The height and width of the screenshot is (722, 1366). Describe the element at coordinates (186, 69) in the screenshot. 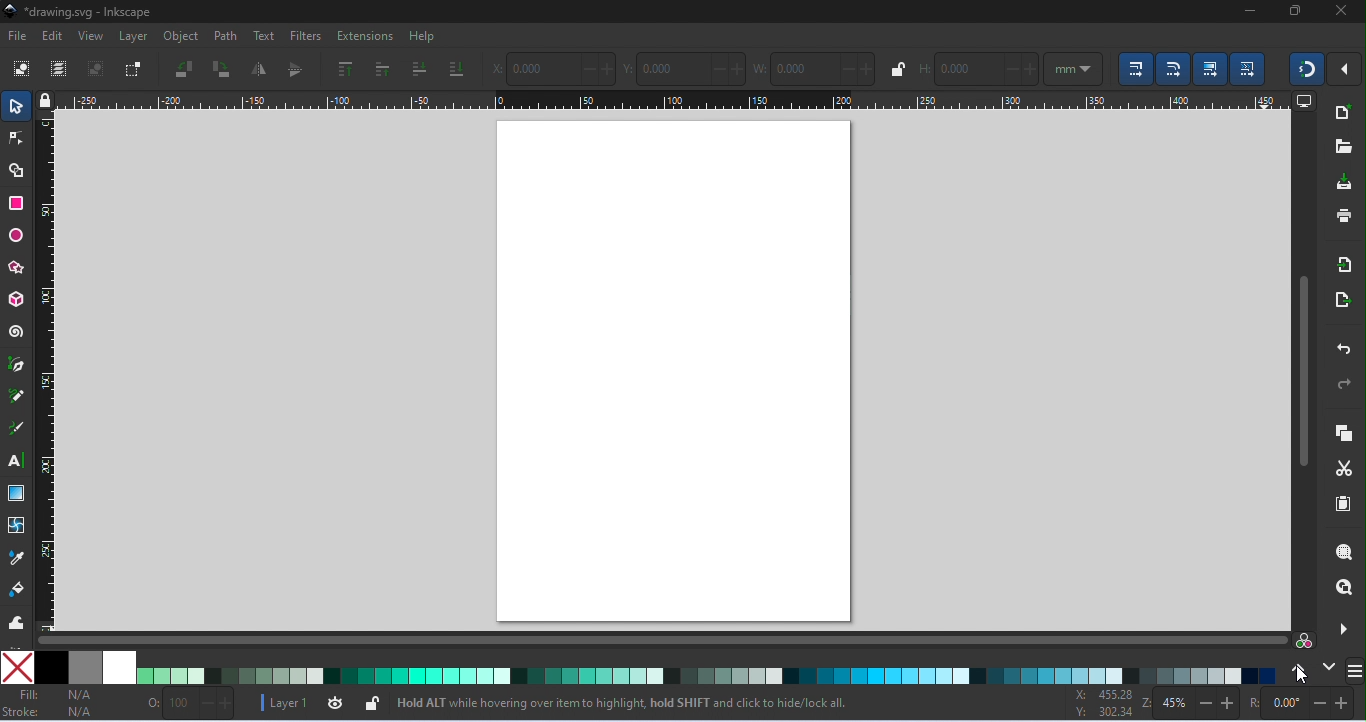

I see `rotate object 90 degree counterclockwise` at that location.